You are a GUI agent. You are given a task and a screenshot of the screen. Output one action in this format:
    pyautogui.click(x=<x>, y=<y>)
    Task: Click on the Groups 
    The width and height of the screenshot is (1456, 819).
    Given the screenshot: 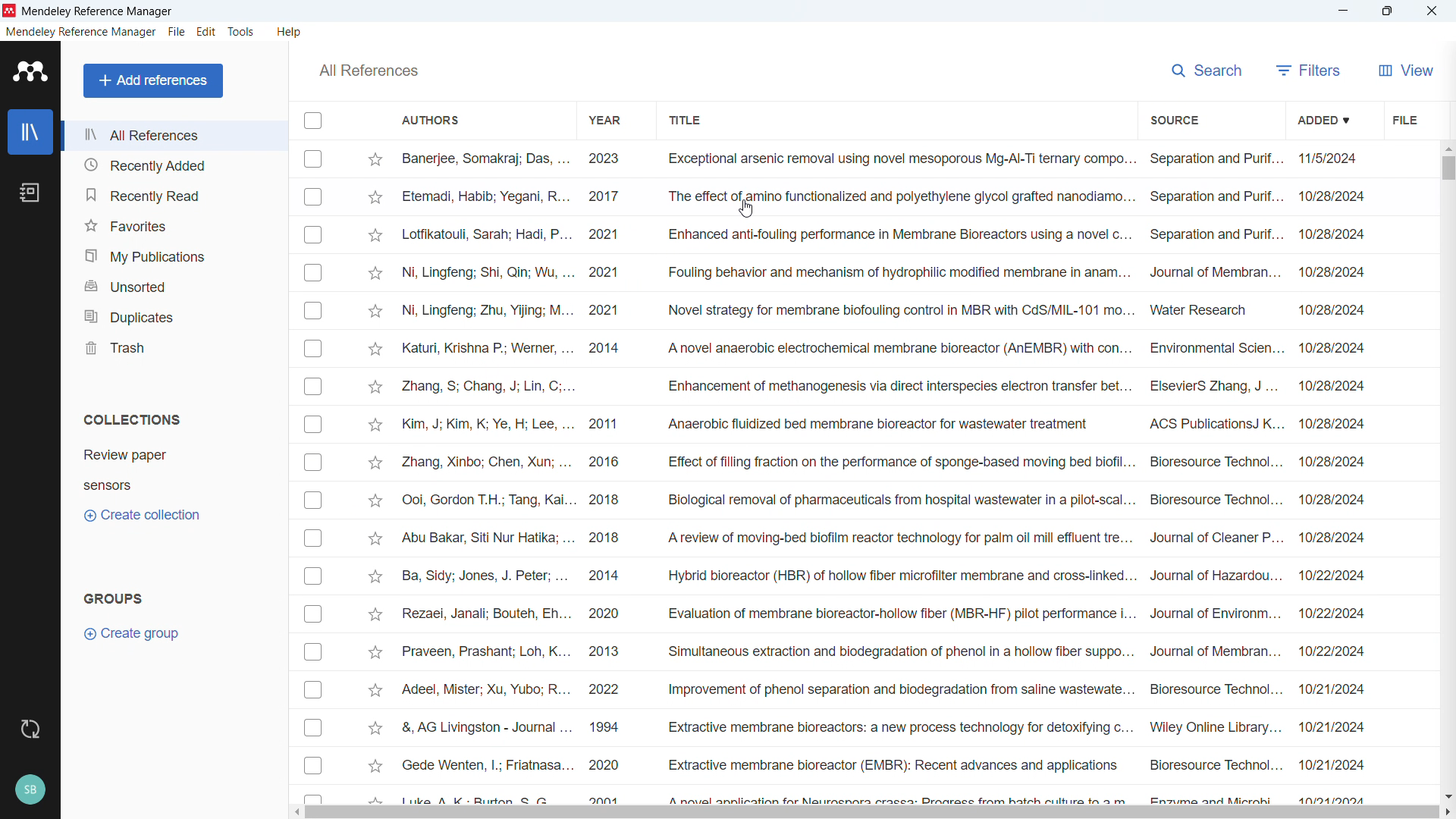 What is the action you would take?
    pyautogui.click(x=113, y=600)
    